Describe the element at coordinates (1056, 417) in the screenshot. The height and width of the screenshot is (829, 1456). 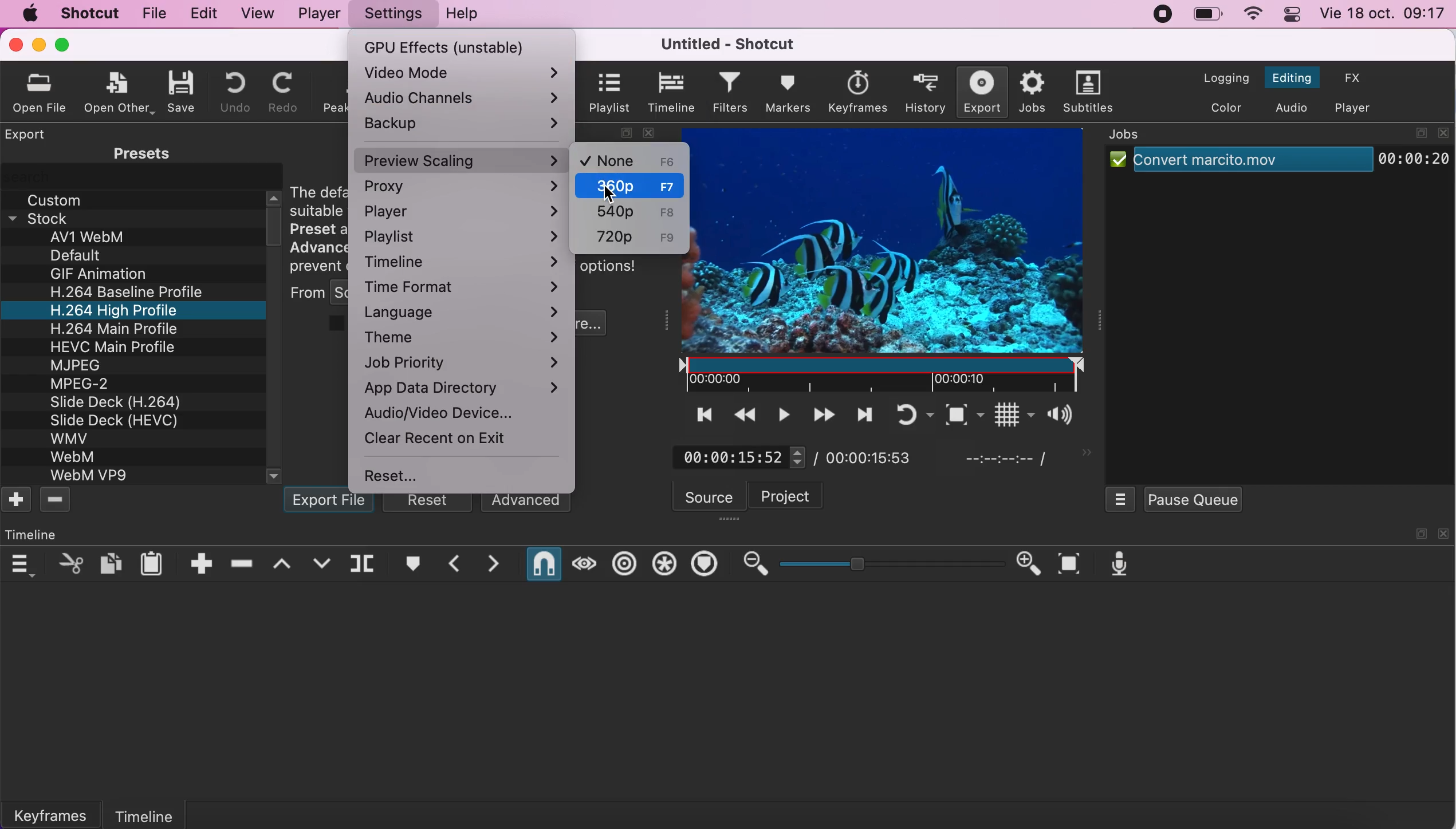
I see `show the volume control` at that location.